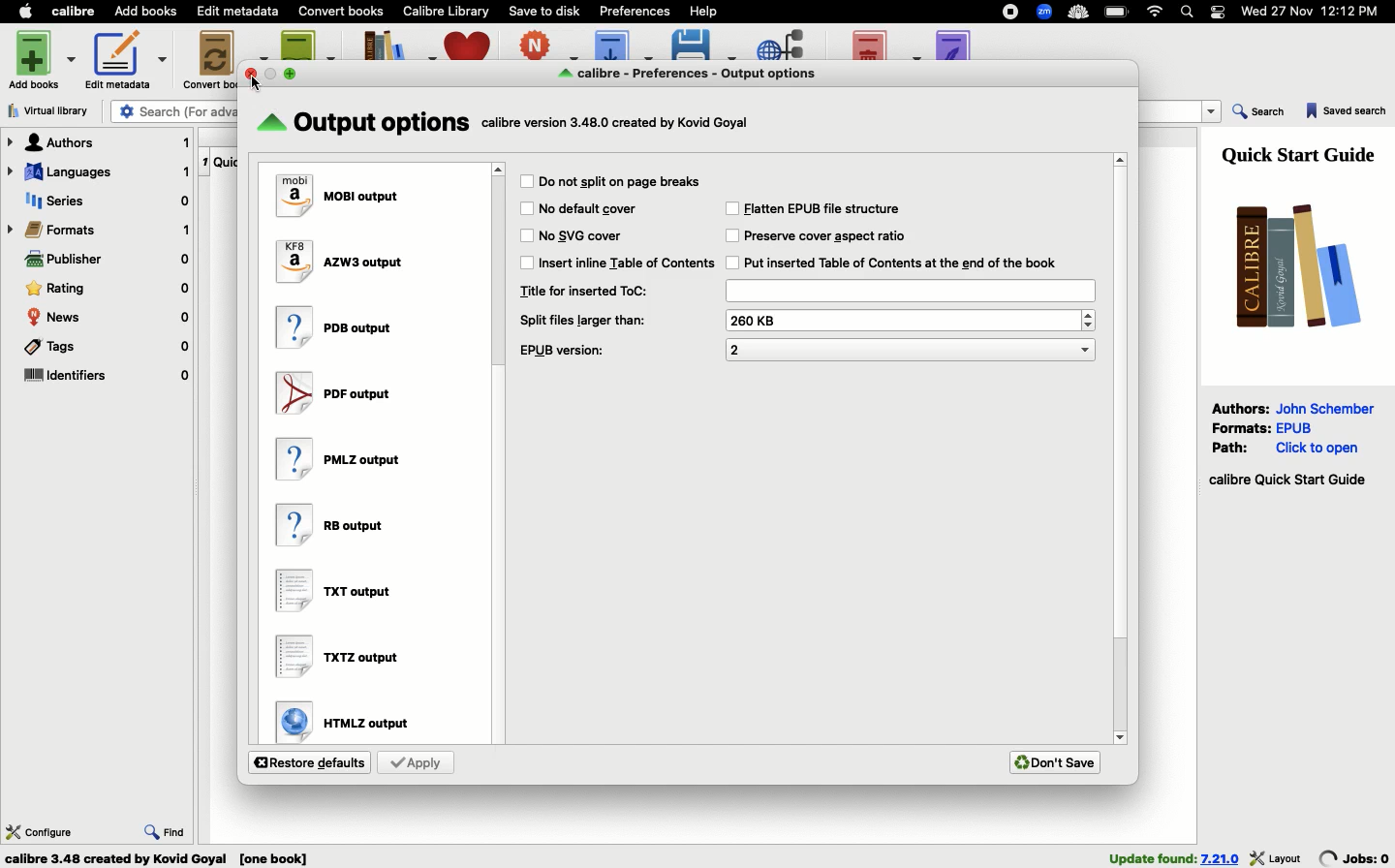  Describe the element at coordinates (1055, 762) in the screenshot. I see `Don't save` at that location.